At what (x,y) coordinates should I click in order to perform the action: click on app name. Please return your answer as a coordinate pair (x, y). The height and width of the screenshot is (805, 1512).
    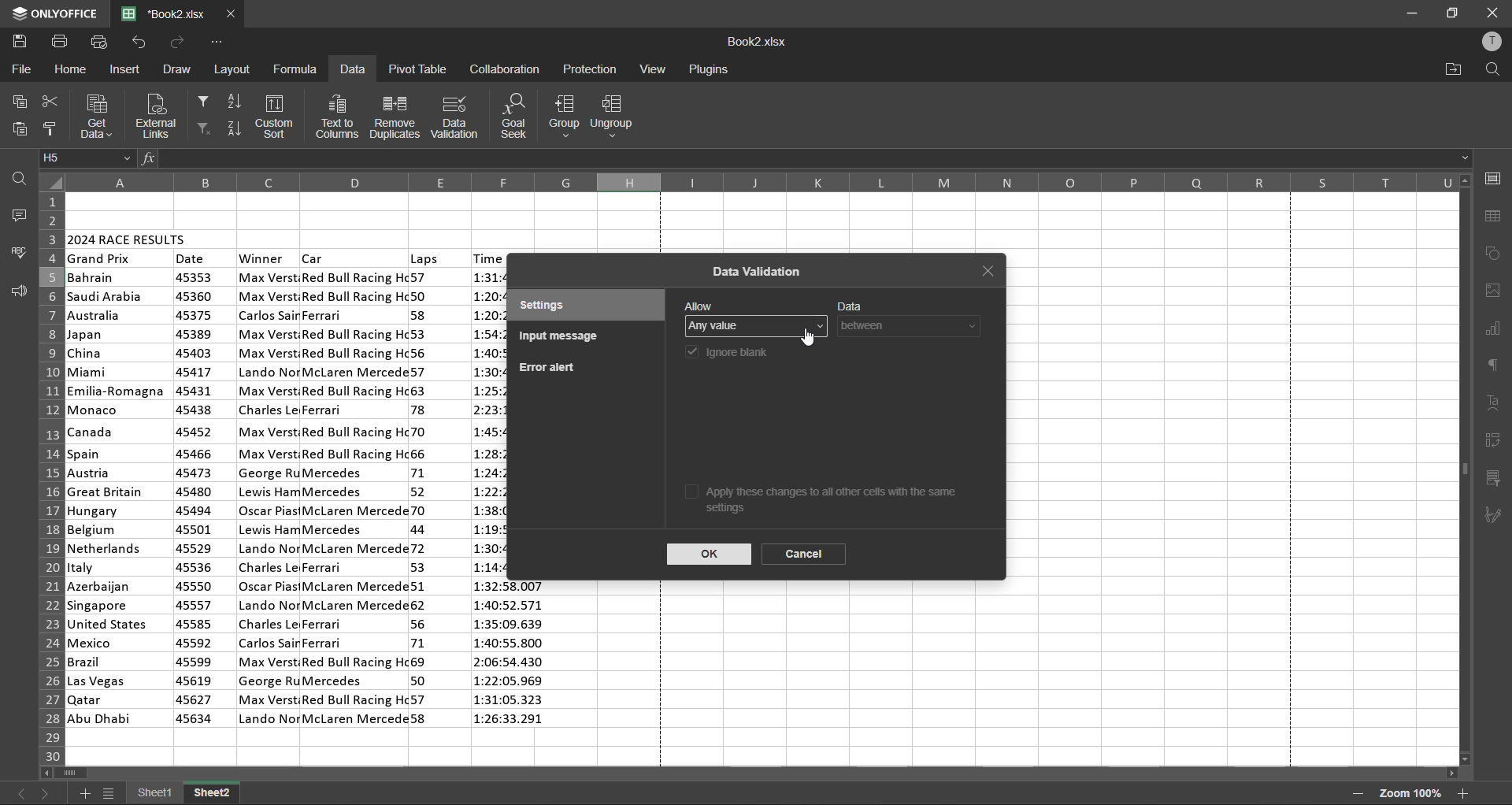
    Looking at the image, I should click on (54, 13).